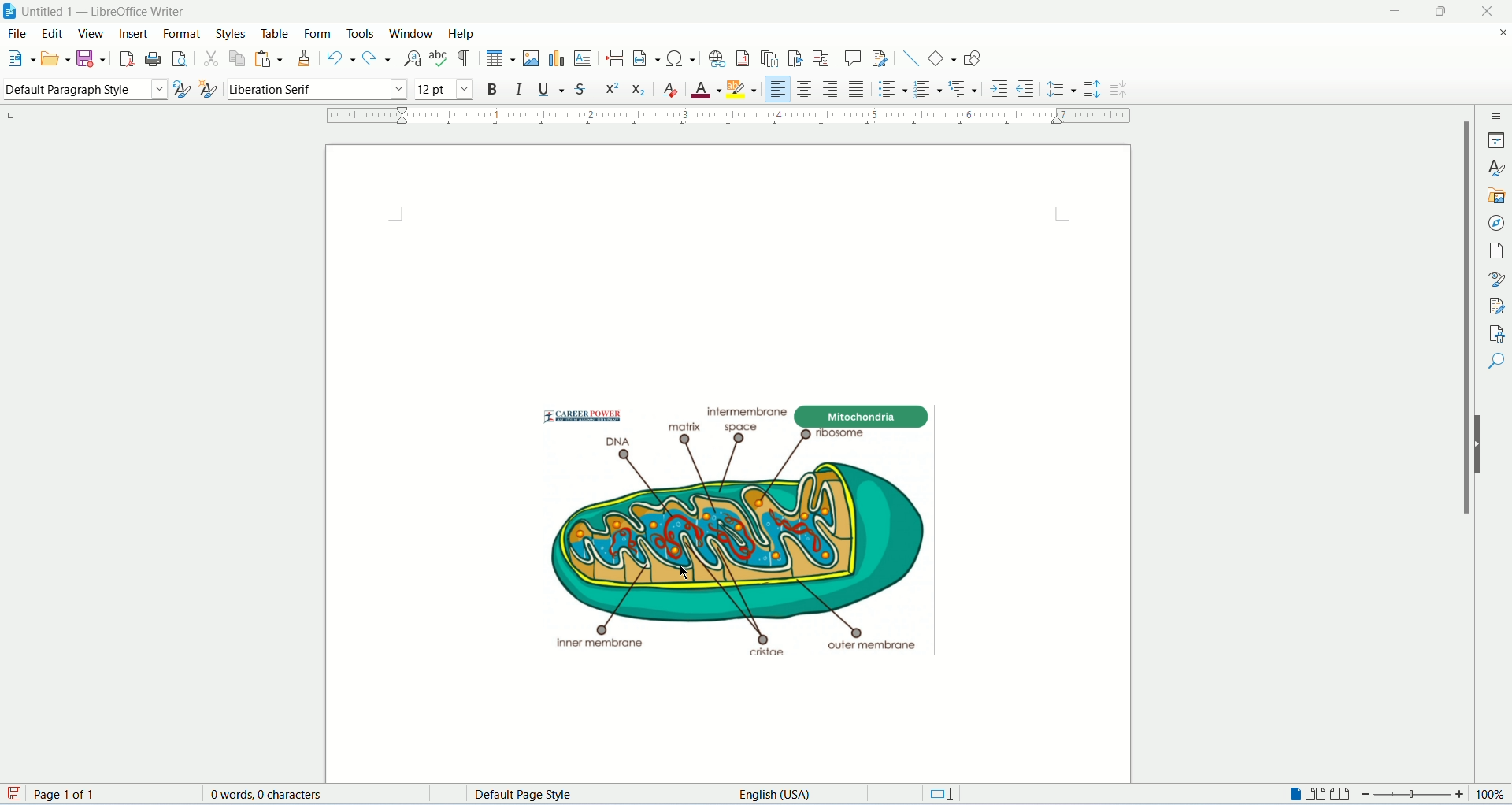  Describe the element at coordinates (791, 794) in the screenshot. I see `English (USA)` at that location.